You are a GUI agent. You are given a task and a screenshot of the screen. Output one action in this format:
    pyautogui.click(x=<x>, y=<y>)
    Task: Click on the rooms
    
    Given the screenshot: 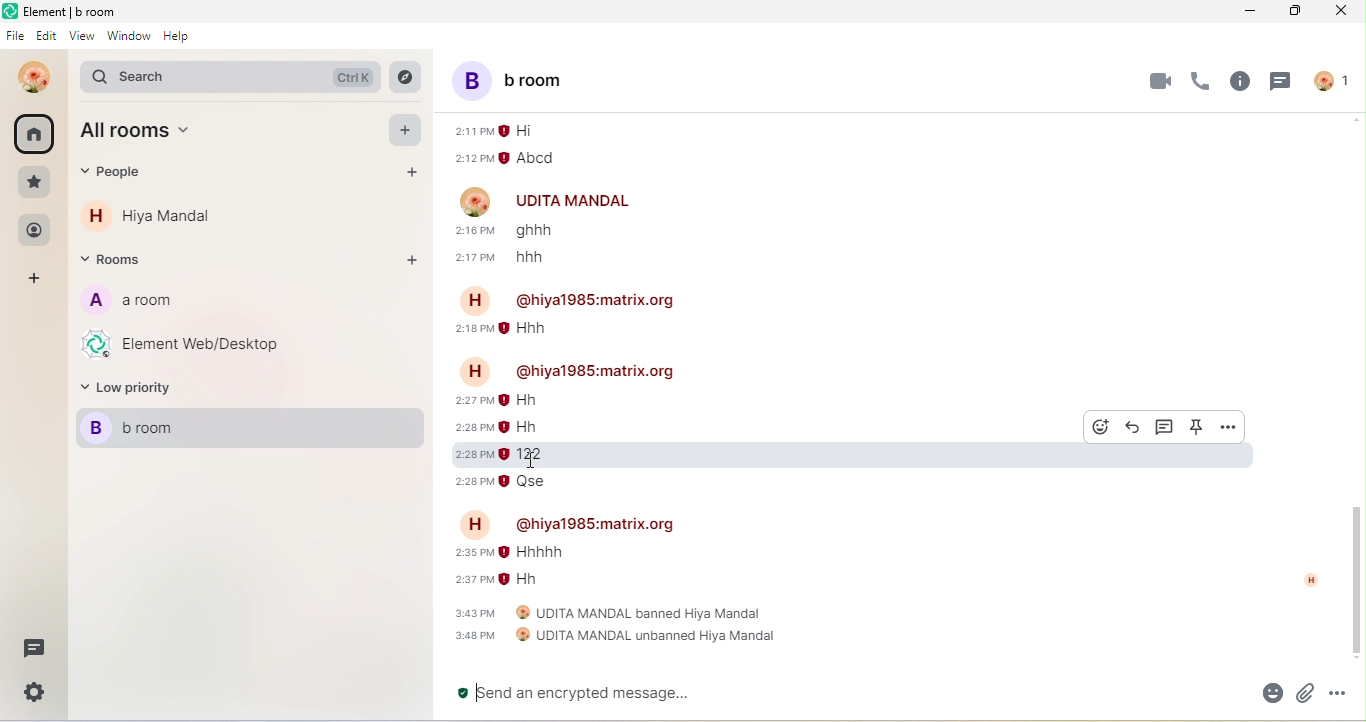 What is the action you would take?
    pyautogui.click(x=119, y=262)
    